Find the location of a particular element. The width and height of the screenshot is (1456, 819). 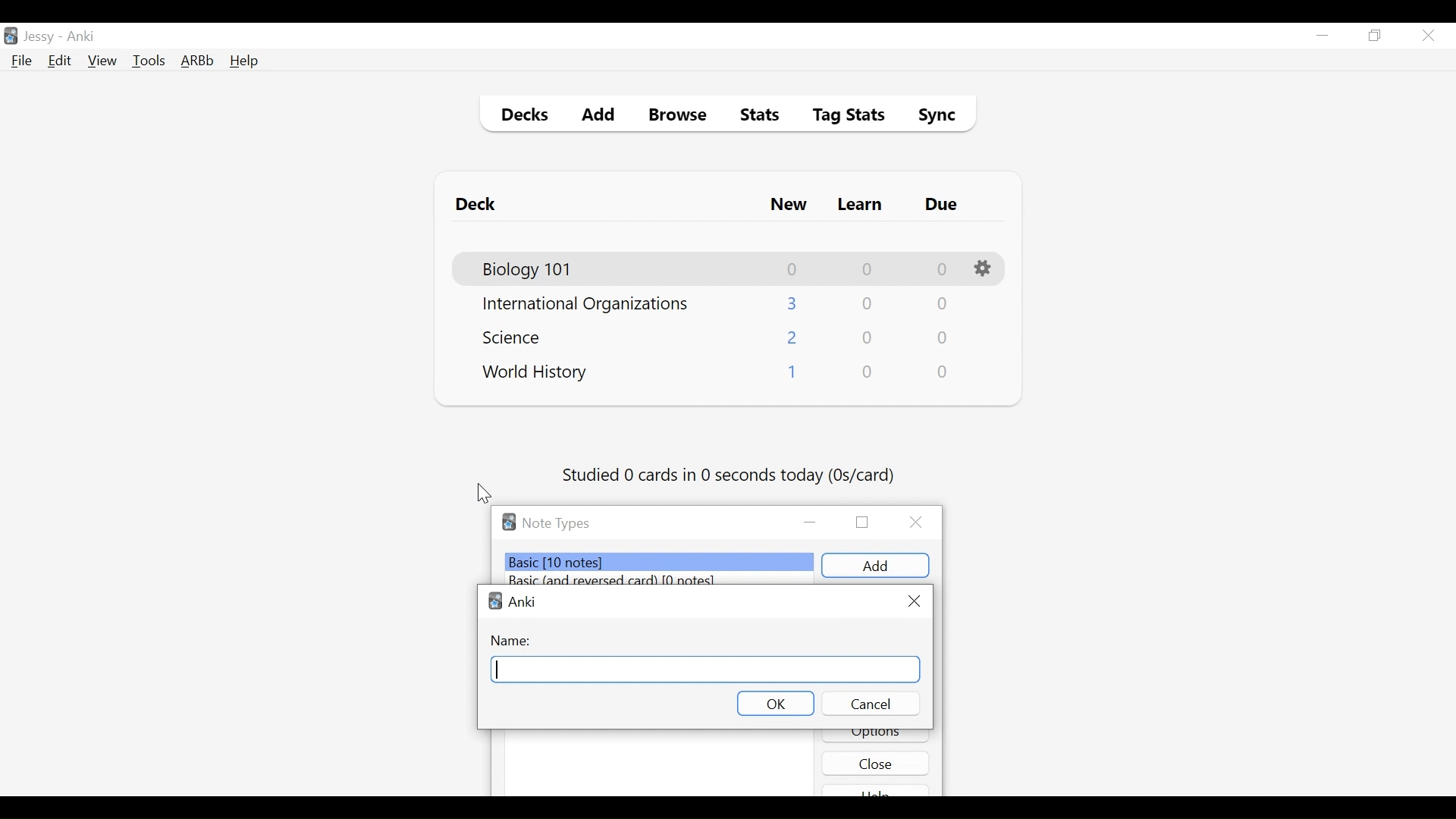

File is located at coordinates (22, 62).